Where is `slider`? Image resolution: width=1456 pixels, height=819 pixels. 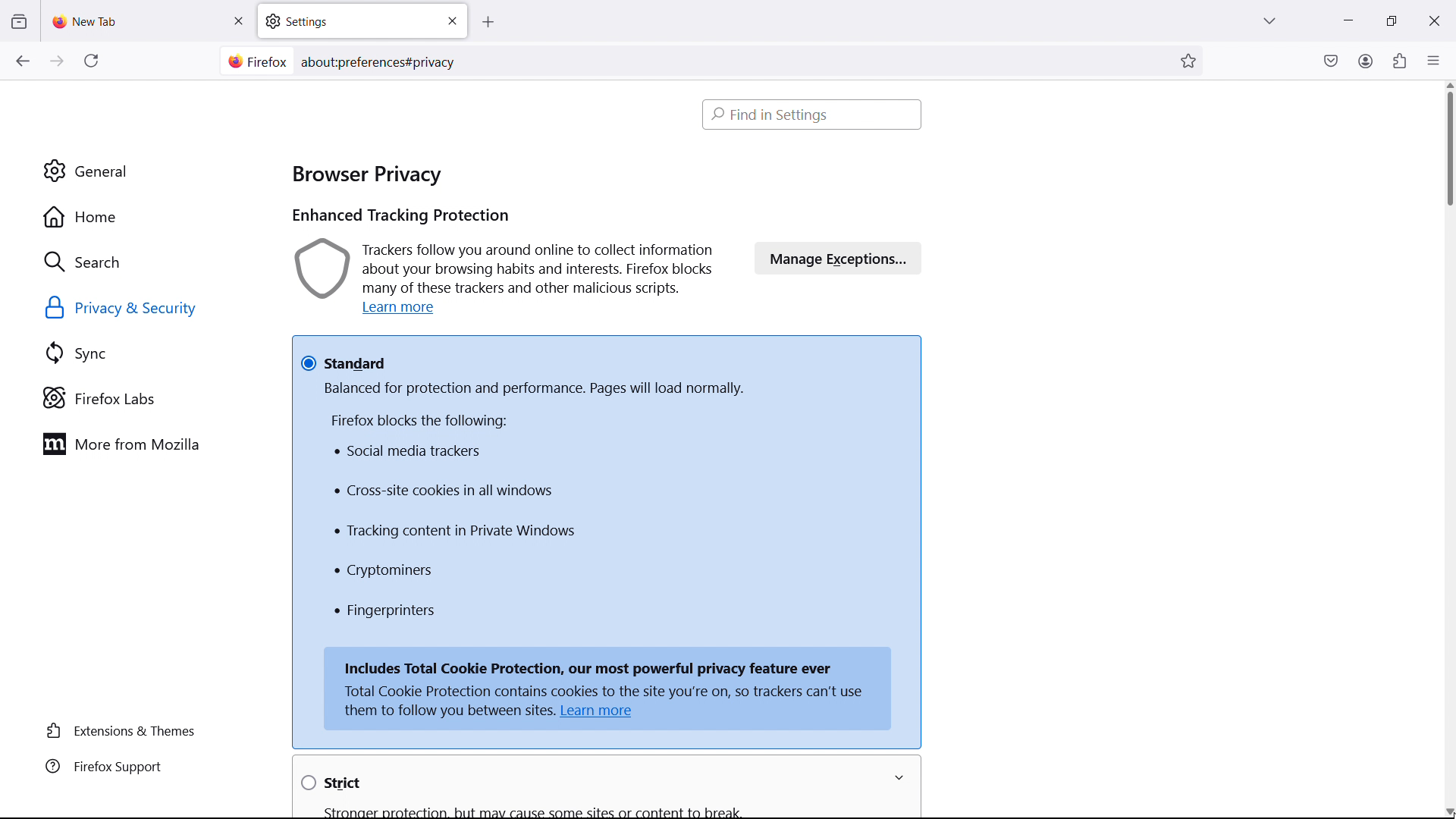 slider is located at coordinates (1447, 149).